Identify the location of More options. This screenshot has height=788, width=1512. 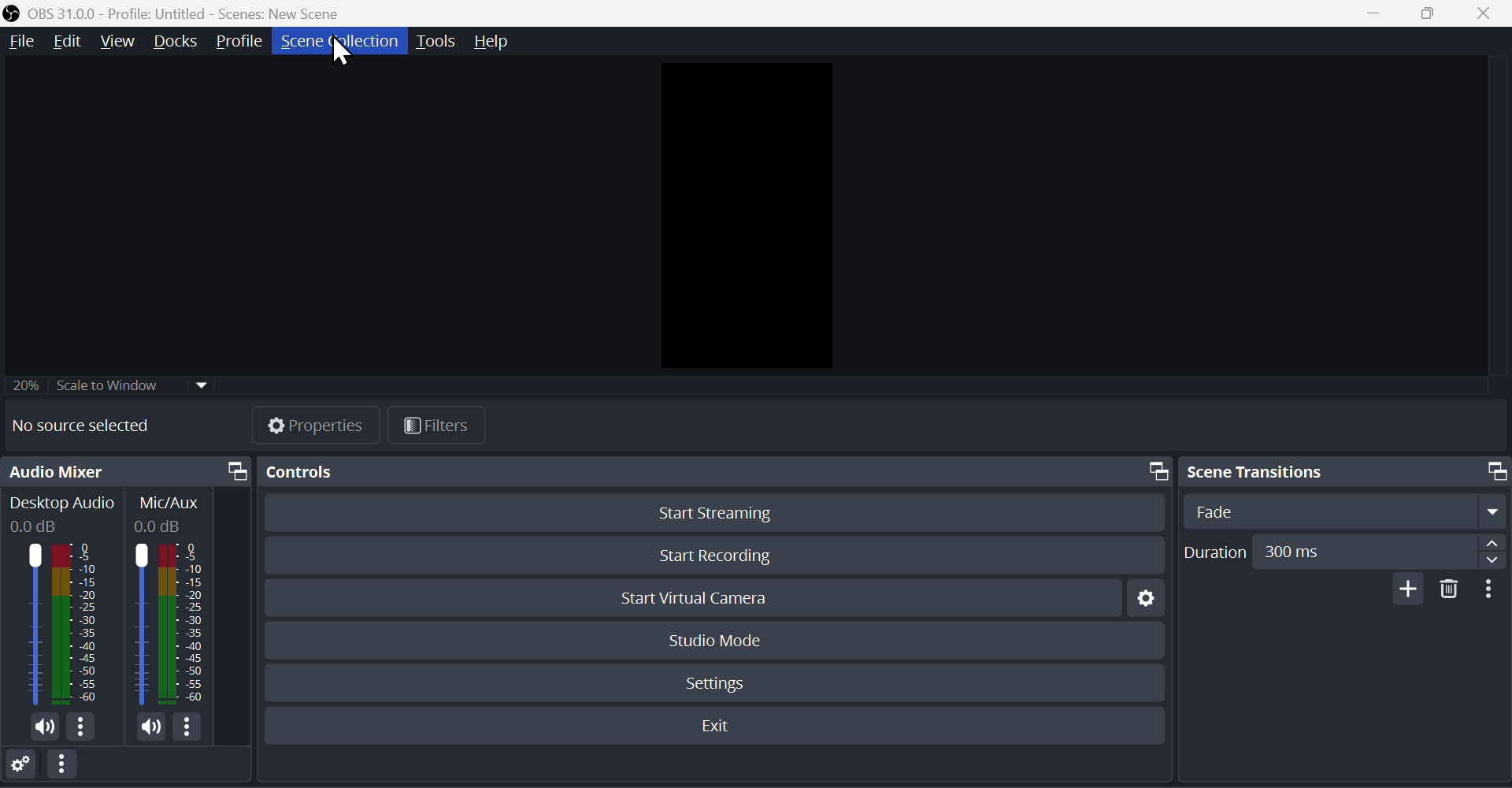
(1492, 589).